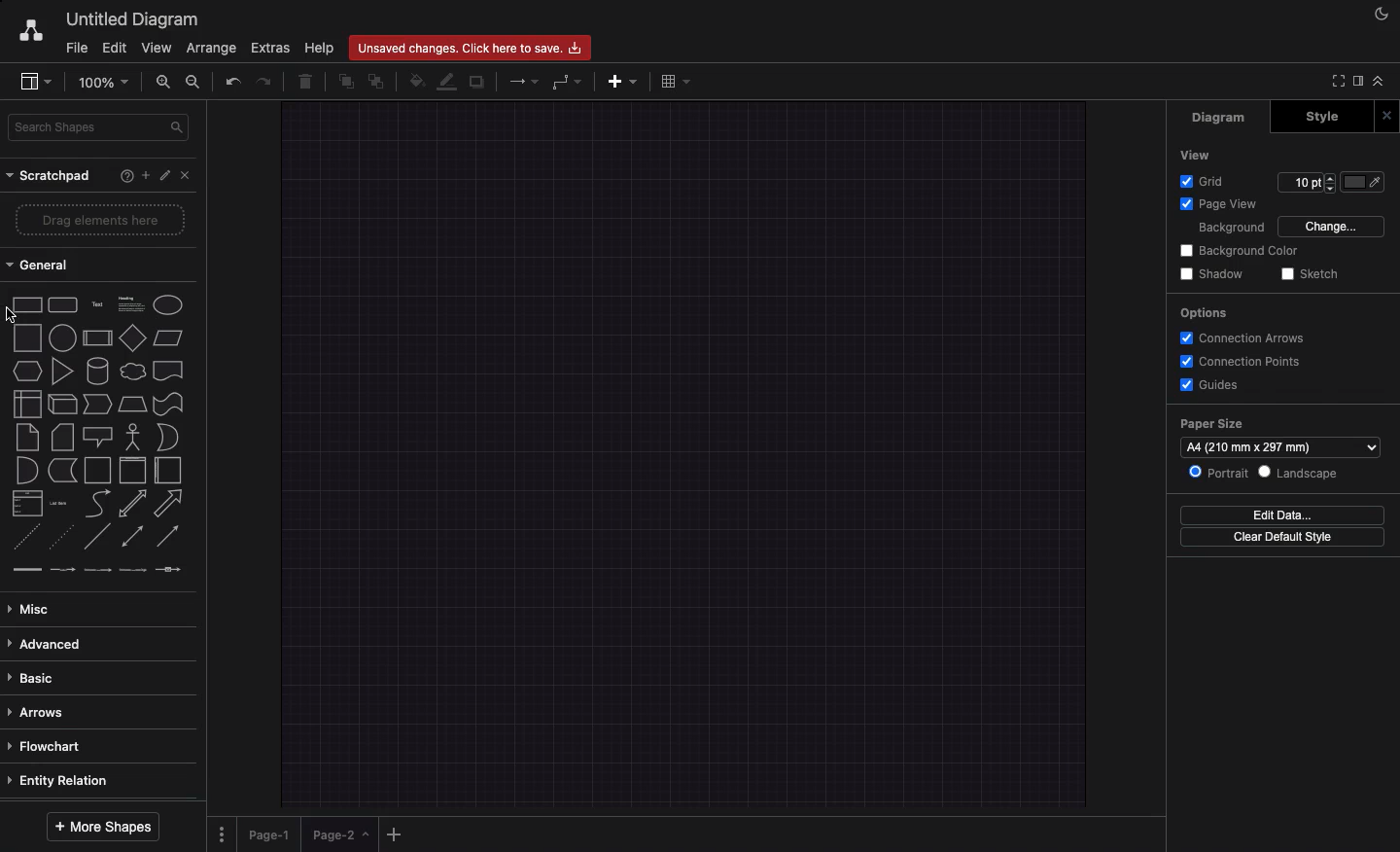 Image resolution: width=1400 pixels, height=852 pixels. I want to click on tape, so click(166, 404).